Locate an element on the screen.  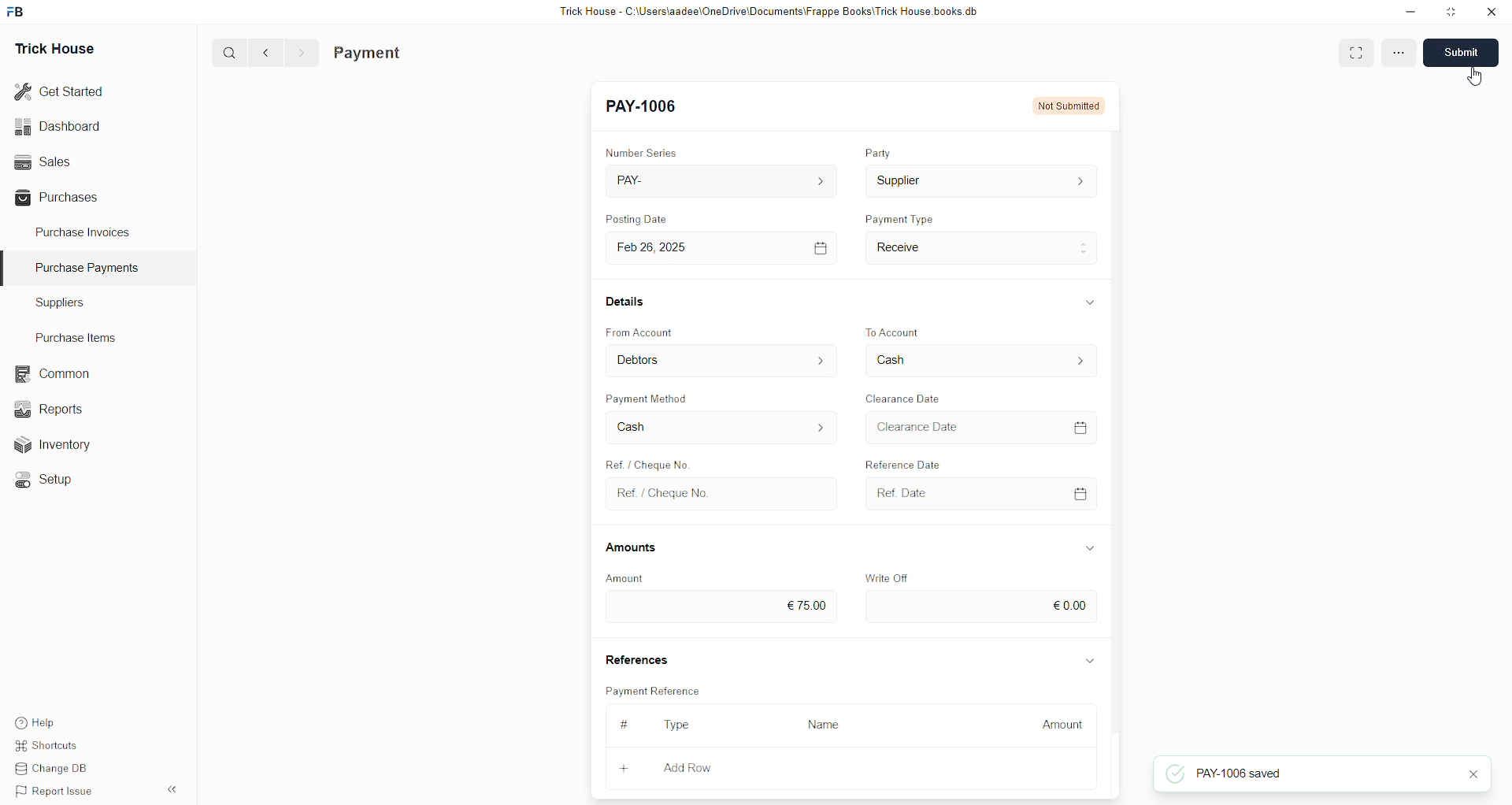
close is located at coordinates (1471, 775).